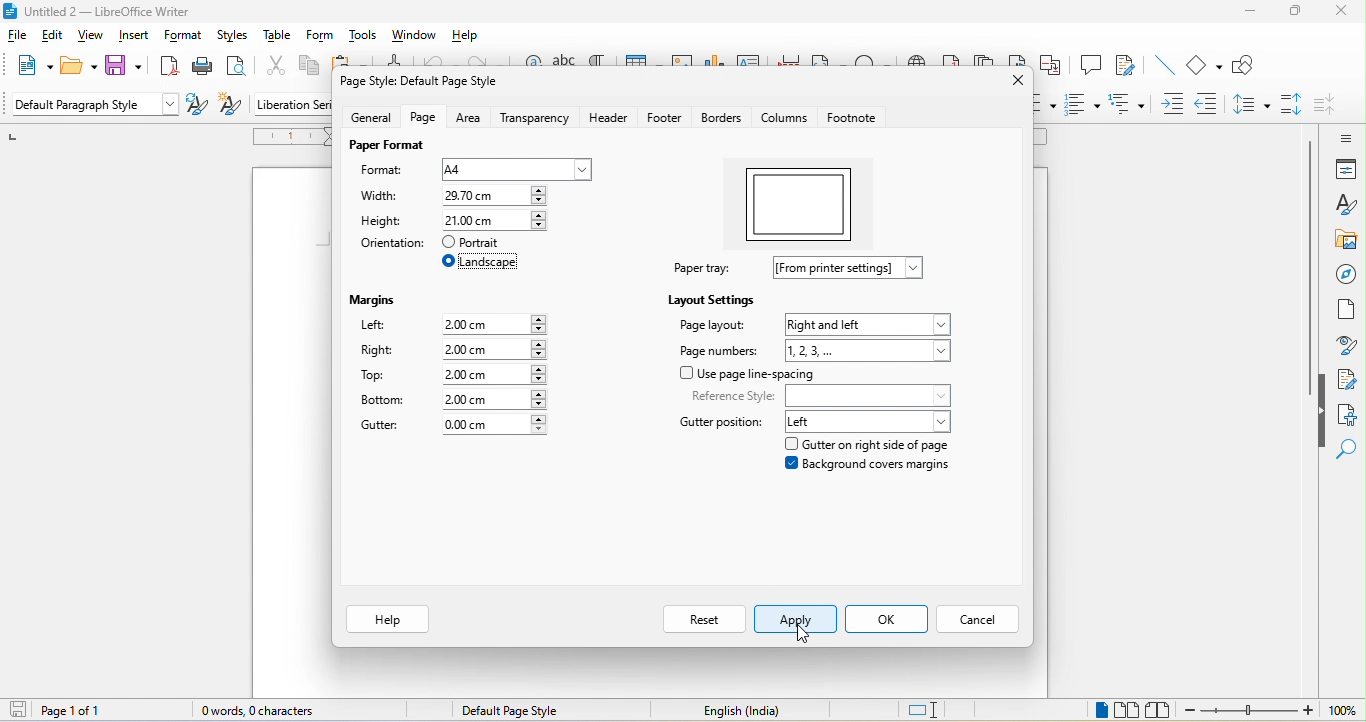  What do you see at coordinates (363, 117) in the screenshot?
I see `general` at bounding box center [363, 117].